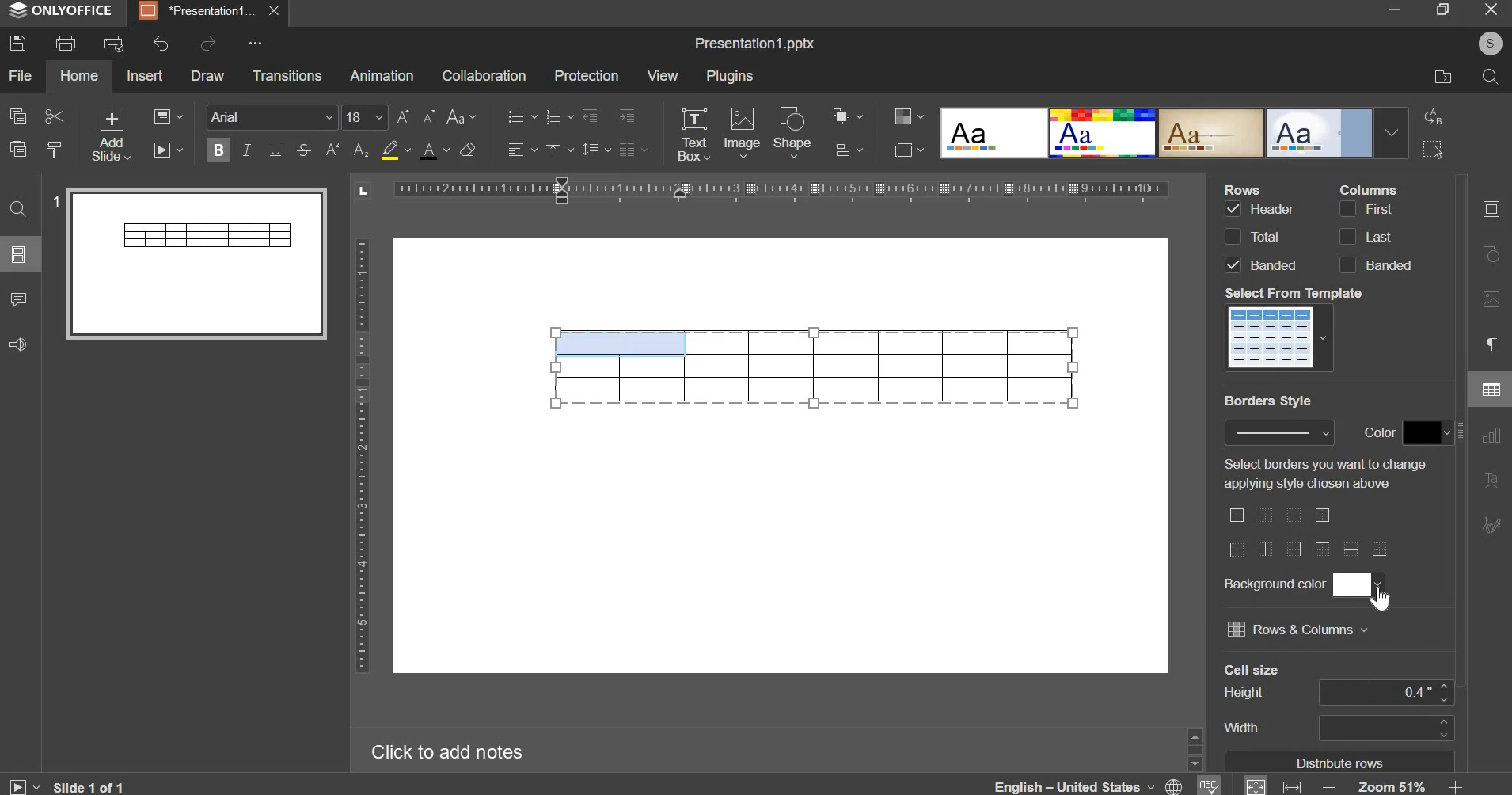  Describe the element at coordinates (586, 76) in the screenshot. I see `protection` at that location.